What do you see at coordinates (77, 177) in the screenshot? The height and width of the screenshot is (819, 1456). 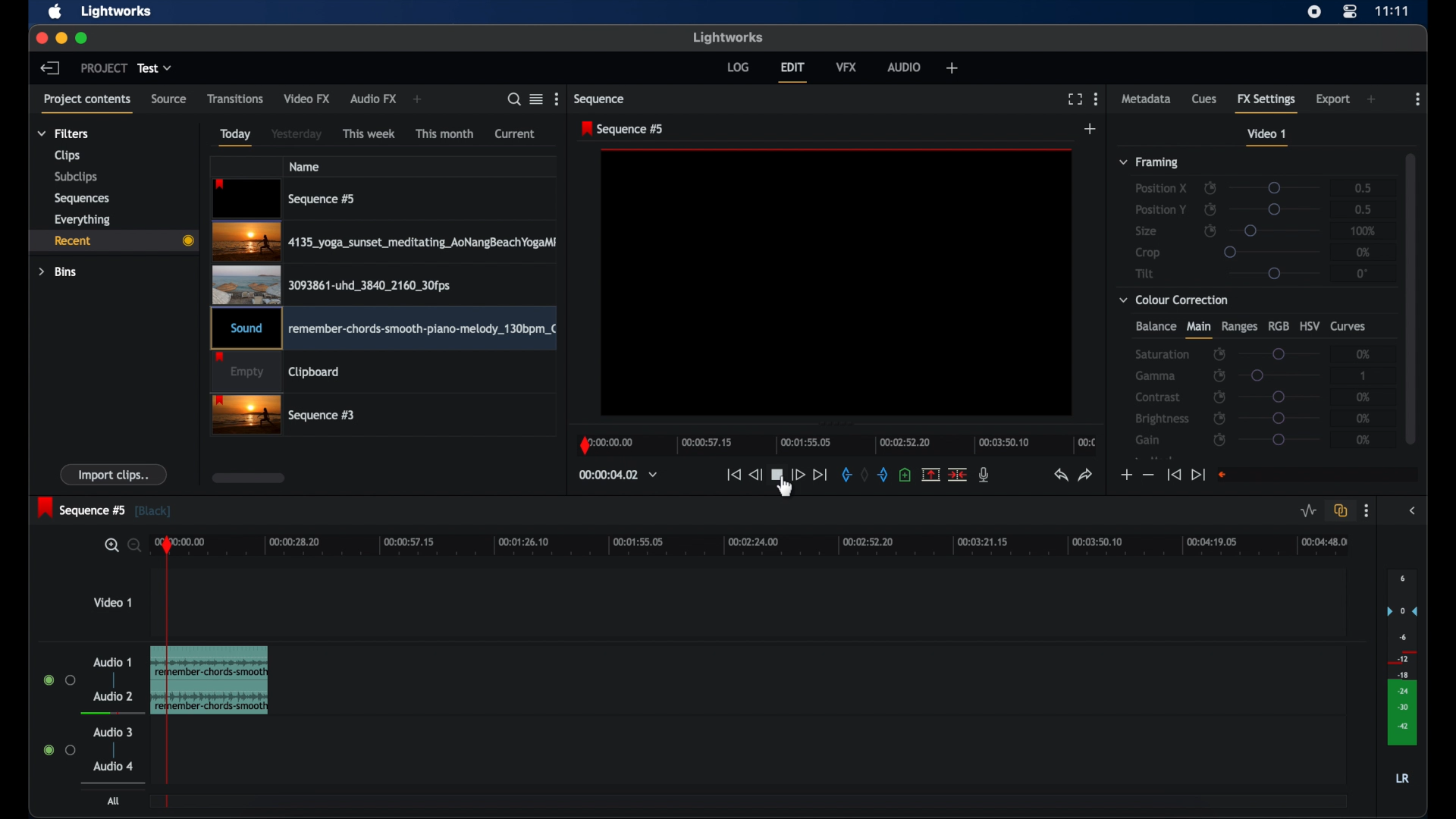 I see `subclips` at bounding box center [77, 177].